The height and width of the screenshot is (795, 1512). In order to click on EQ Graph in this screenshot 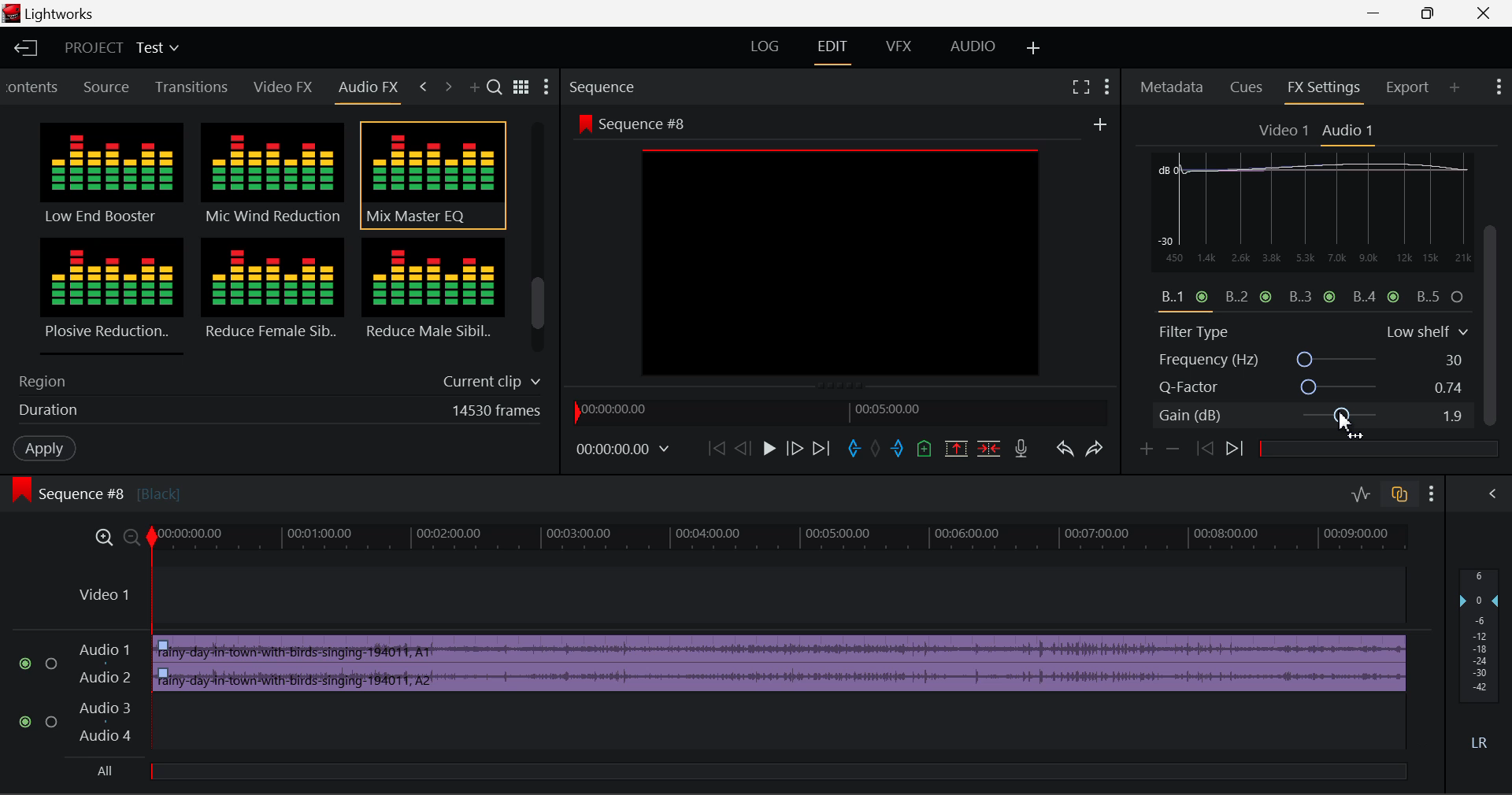, I will do `click(1303, 244)`.